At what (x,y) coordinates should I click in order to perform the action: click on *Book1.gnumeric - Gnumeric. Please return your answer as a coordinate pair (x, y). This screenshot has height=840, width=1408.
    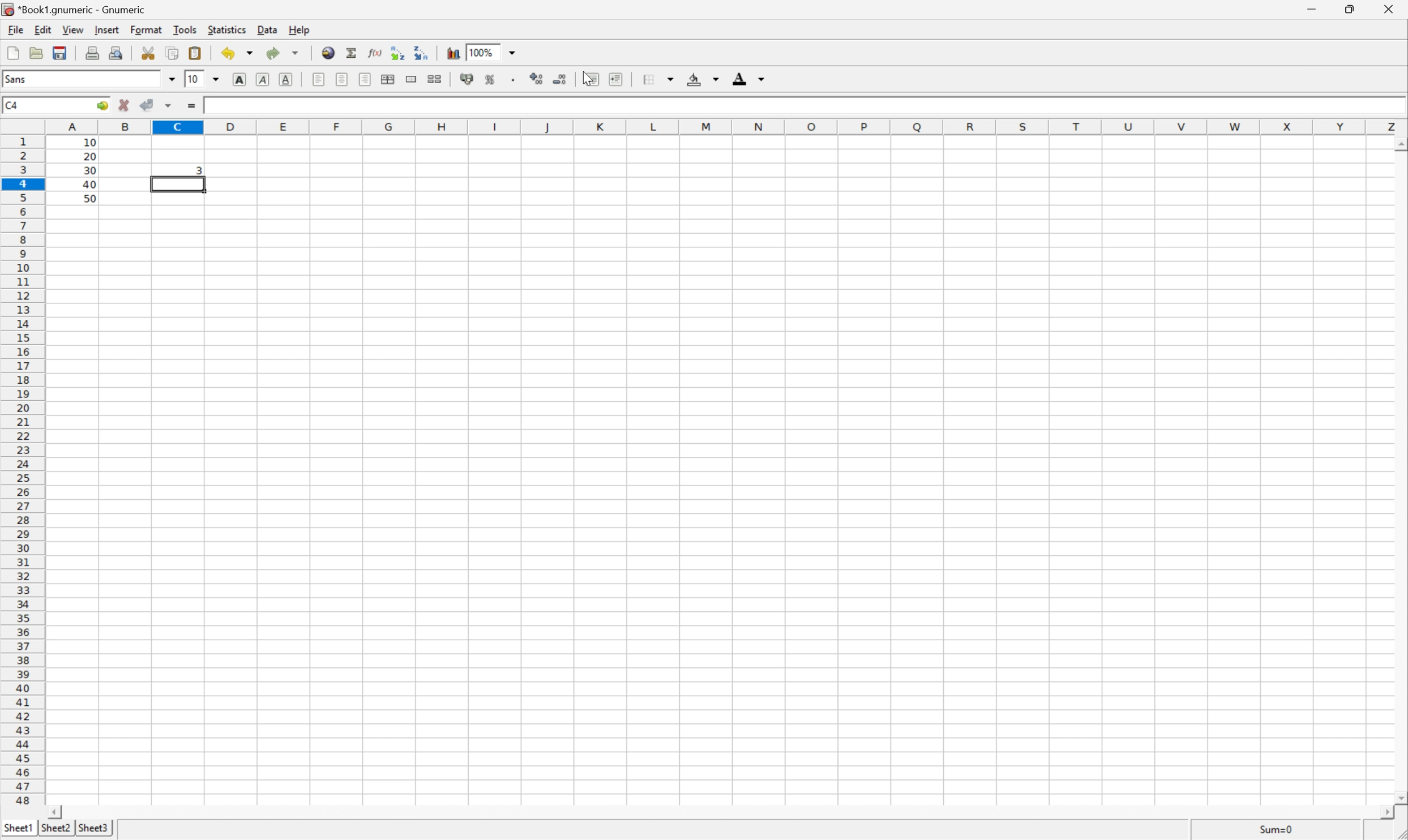
    Looking at the image, I should click on (79, 9).